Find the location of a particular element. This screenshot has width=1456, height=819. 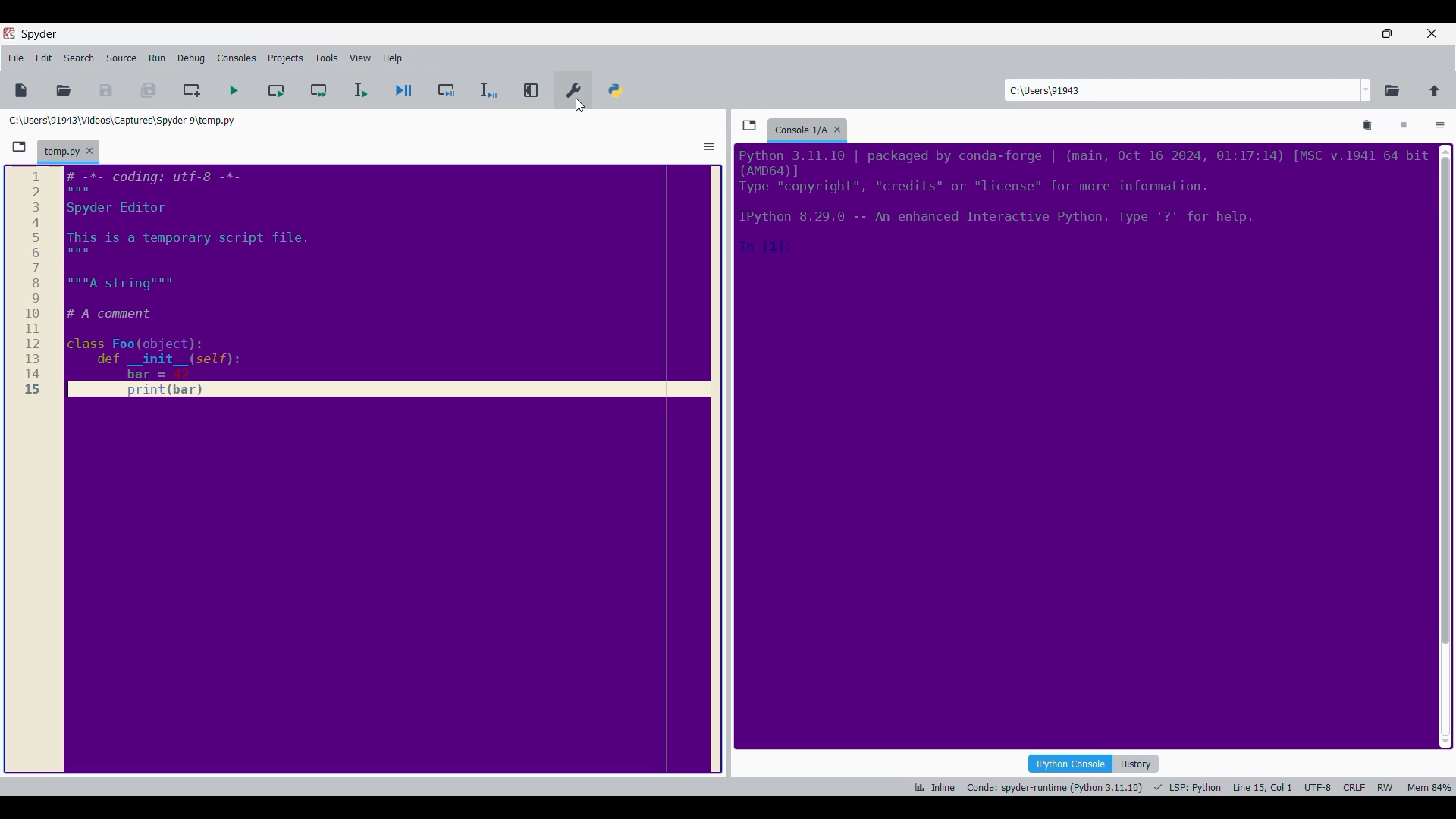

Debug file is located at coordinates (403, 90).